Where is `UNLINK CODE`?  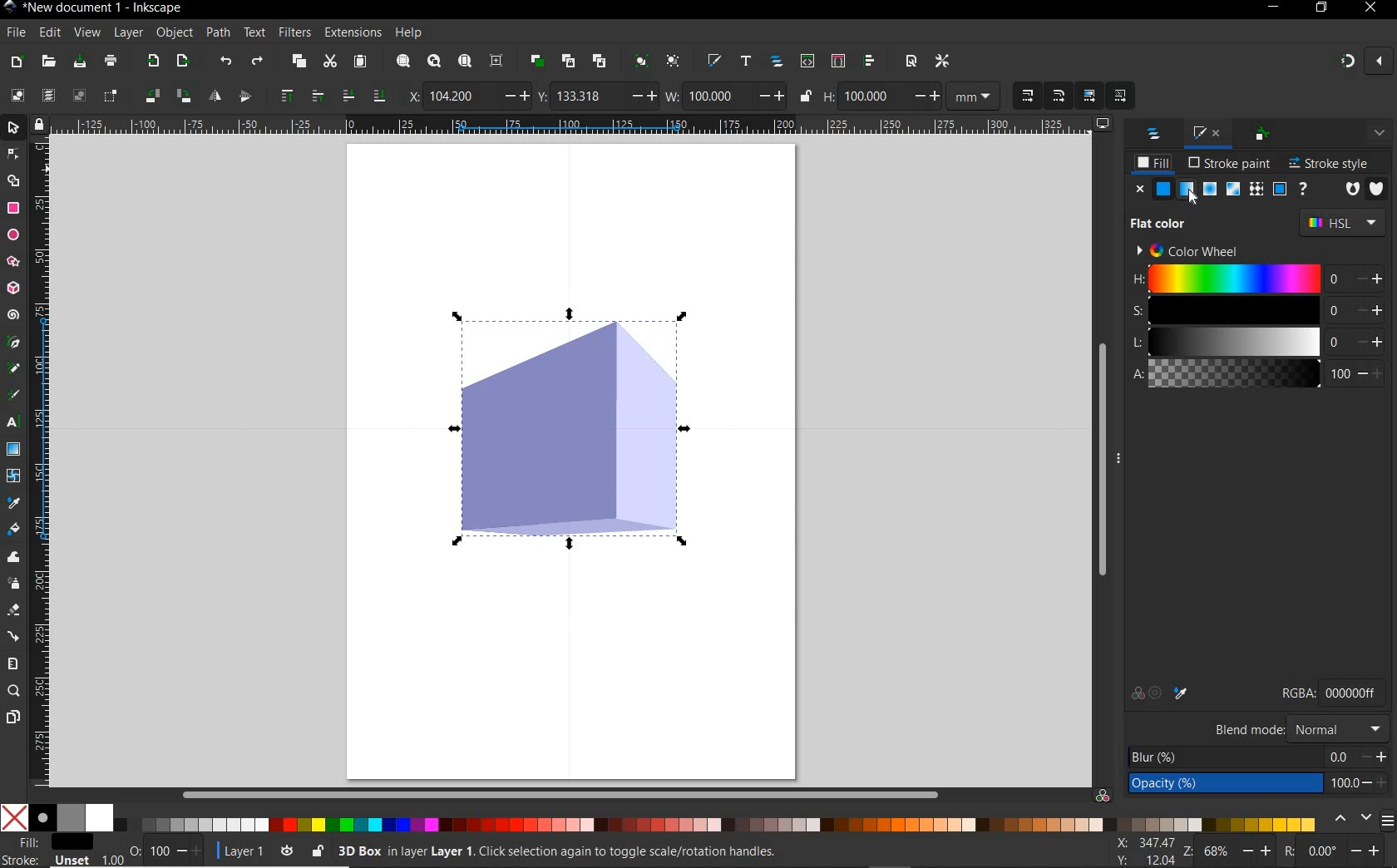
UNLINK CODE is located at coordinates (600, 62).